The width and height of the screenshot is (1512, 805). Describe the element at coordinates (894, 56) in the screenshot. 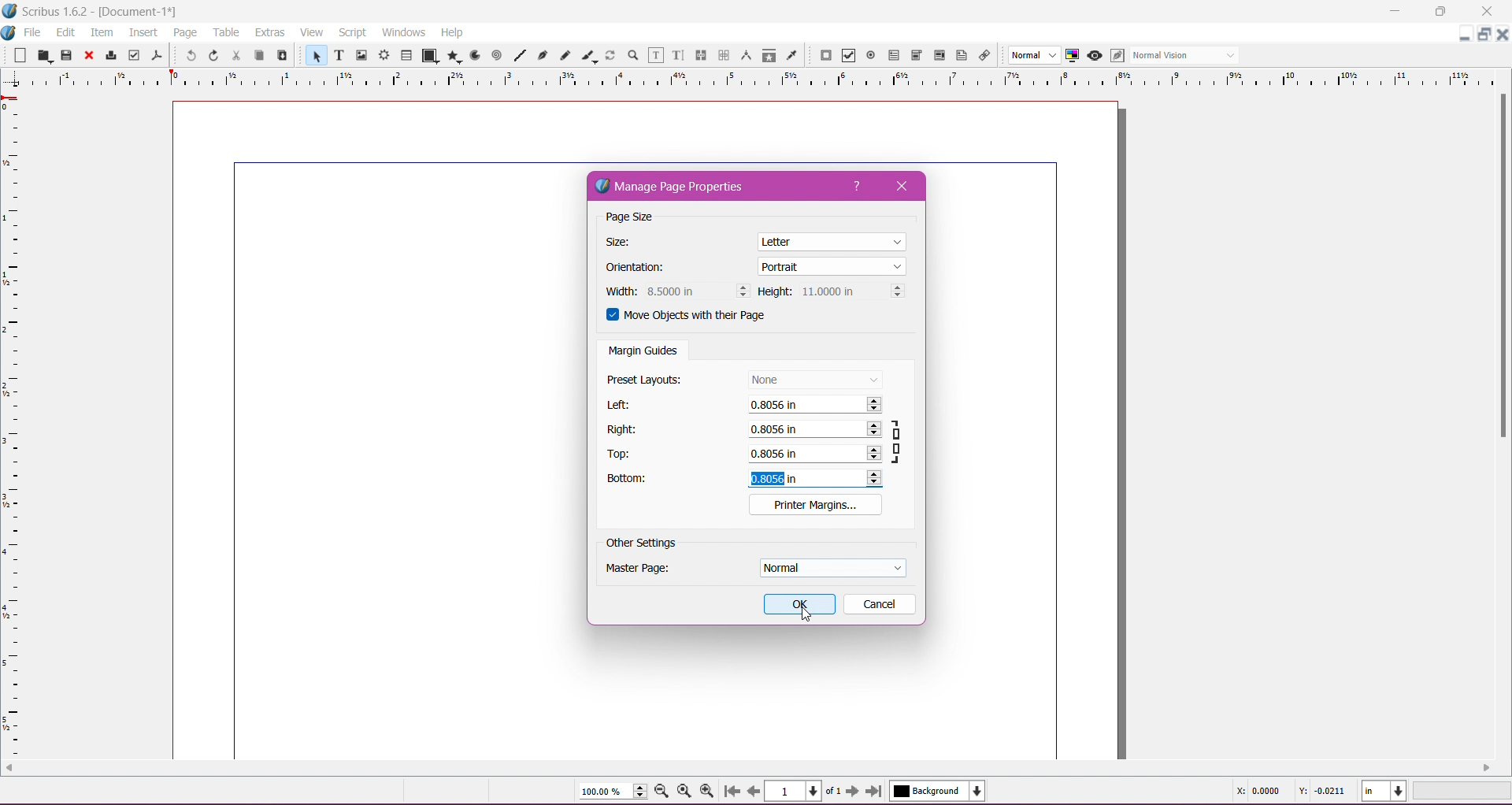

I see `PDF Text Field` at that location.